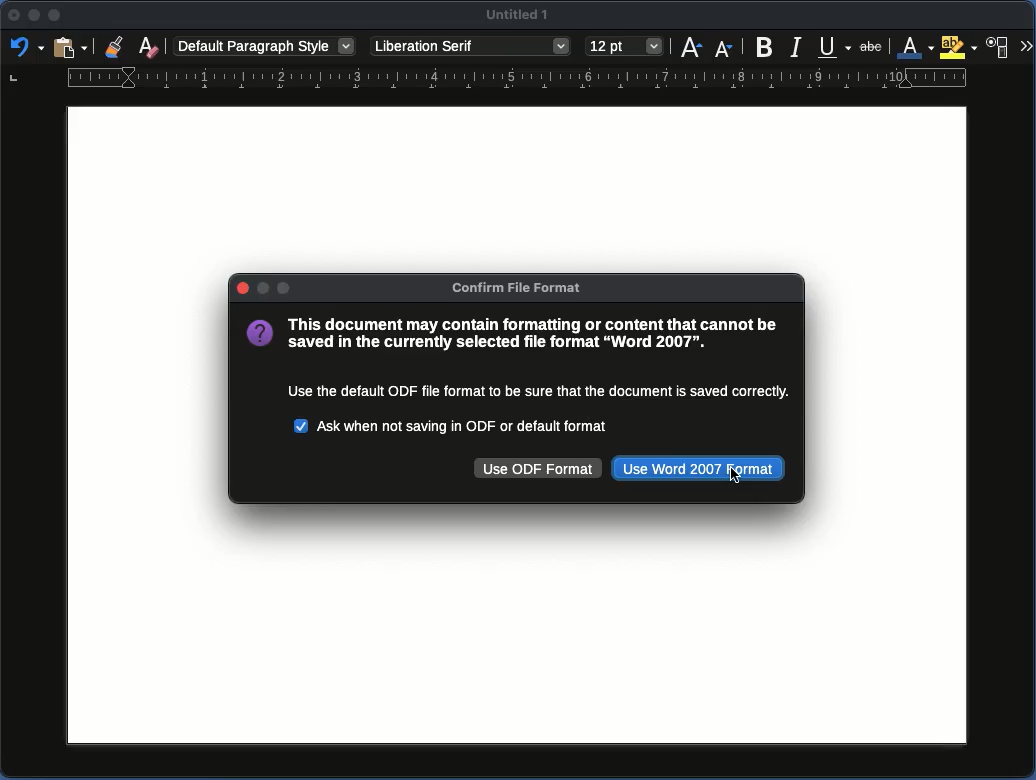 Image resolution: width=1036 pixels, height=780 pixels. Describe the element at coordinates (454, 424) in the screenshot. I see `Ask when not saving in ODF or default format` at that location.